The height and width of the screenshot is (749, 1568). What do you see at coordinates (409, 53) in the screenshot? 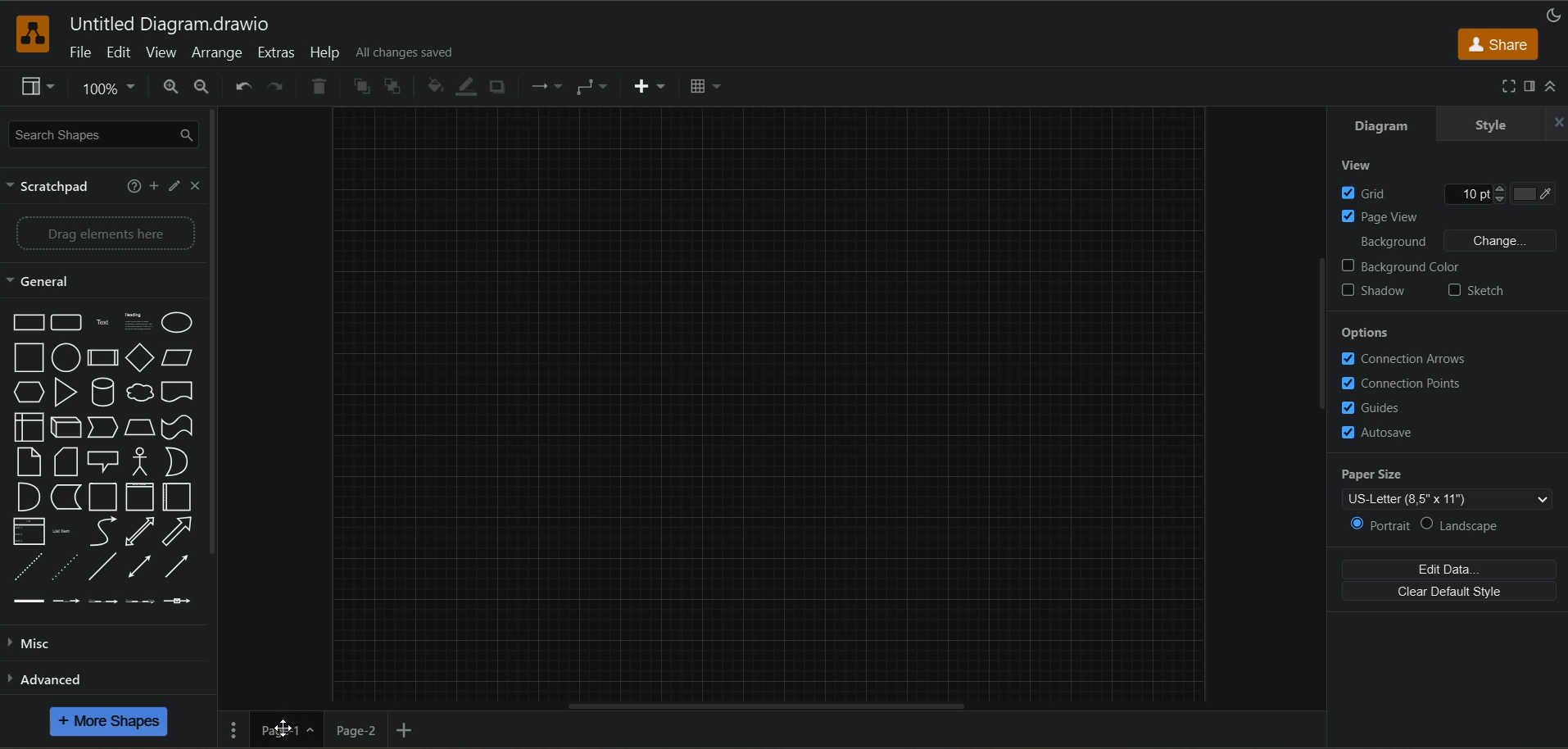
I see `all changes saved` at bounding box center [409, 53].